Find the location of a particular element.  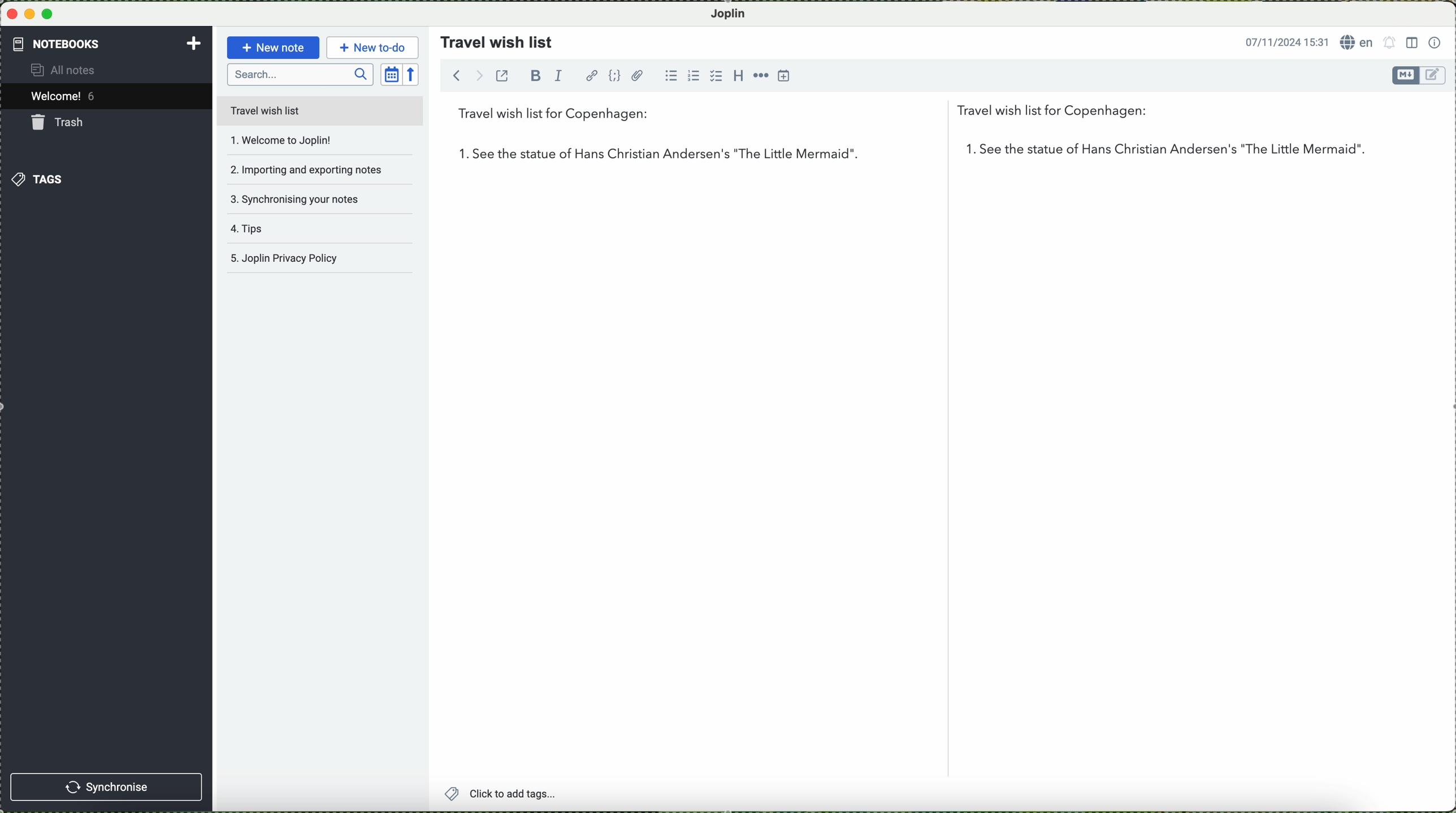

bulleted list is located at coordinates (674, 76).